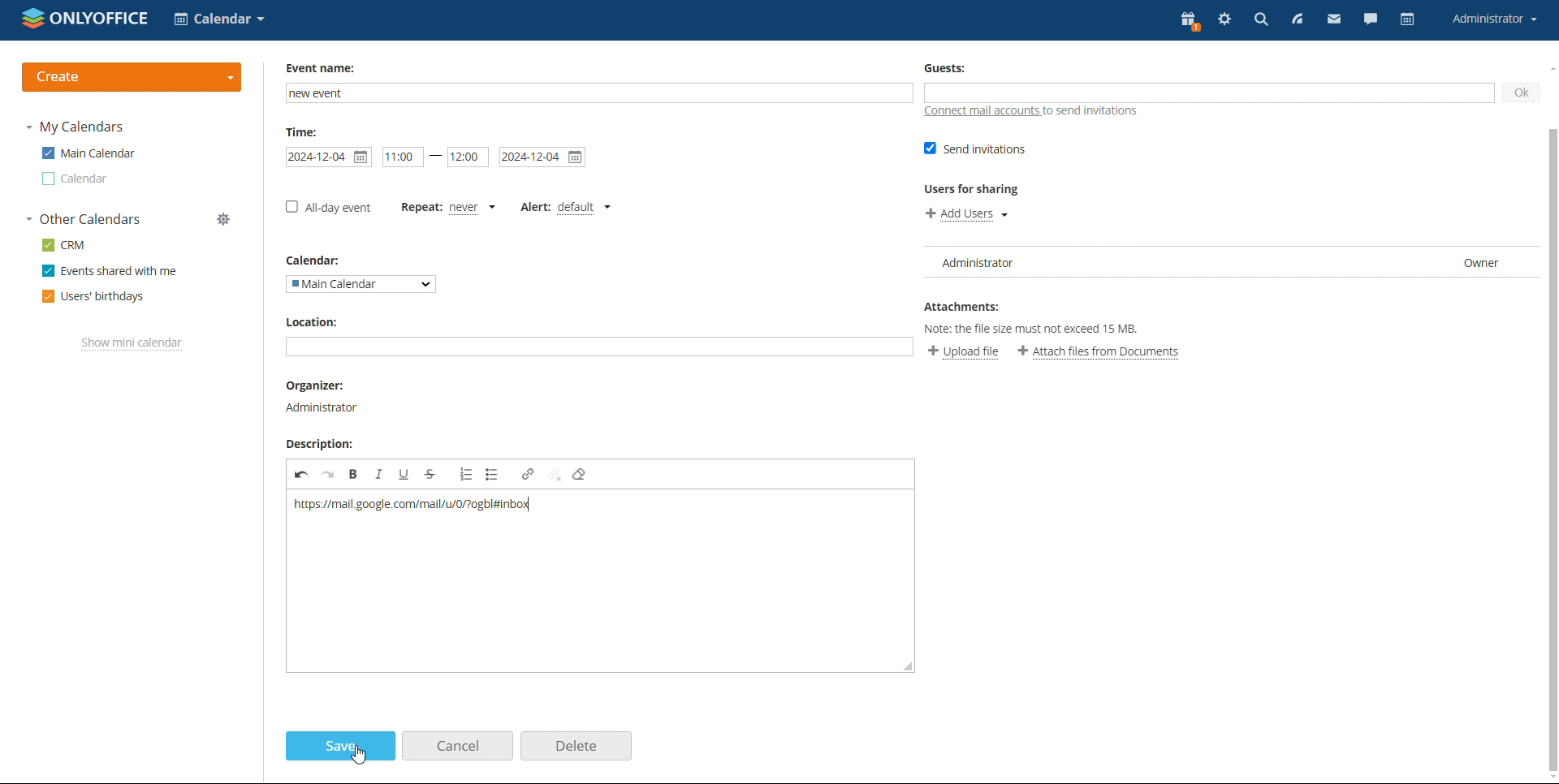 The image size is (1559, 784). Describe the element at coordinates (85, 19) in the screenshot. I see `logo` at that location.